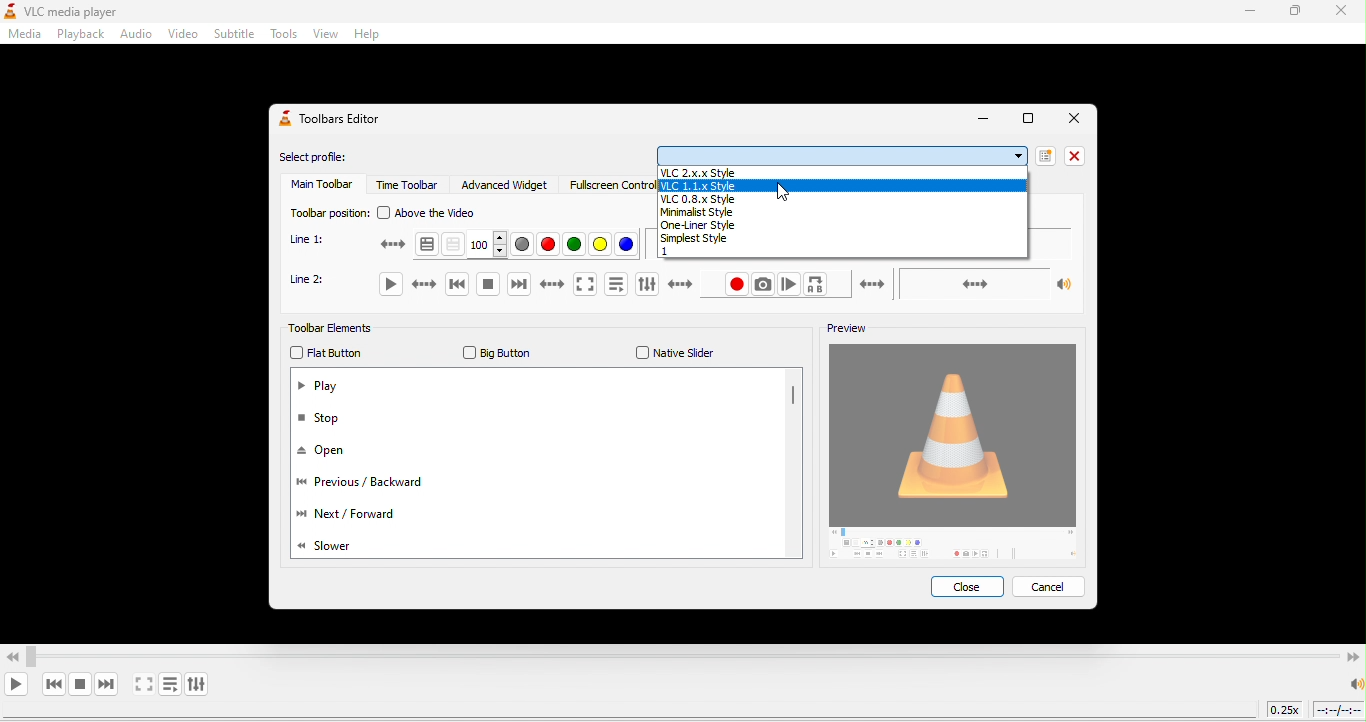 This screenshot has height=722, width=1366. What do you see at coordinates (521, 245) in the screenshot?
I see `grey` at bounding box center [521, 245].